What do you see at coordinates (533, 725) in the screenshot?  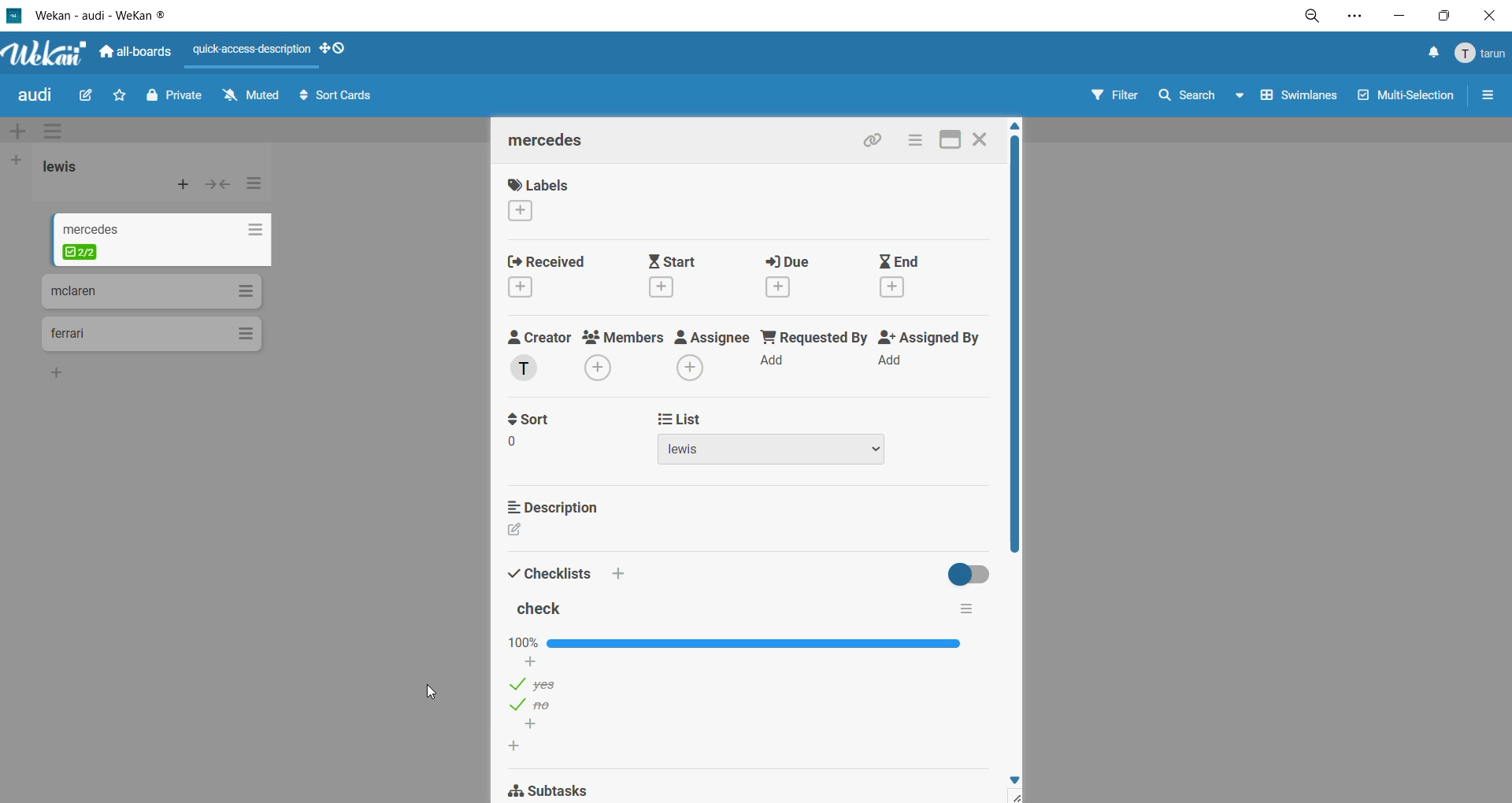 I see `add` at bounding box center [533, 725].